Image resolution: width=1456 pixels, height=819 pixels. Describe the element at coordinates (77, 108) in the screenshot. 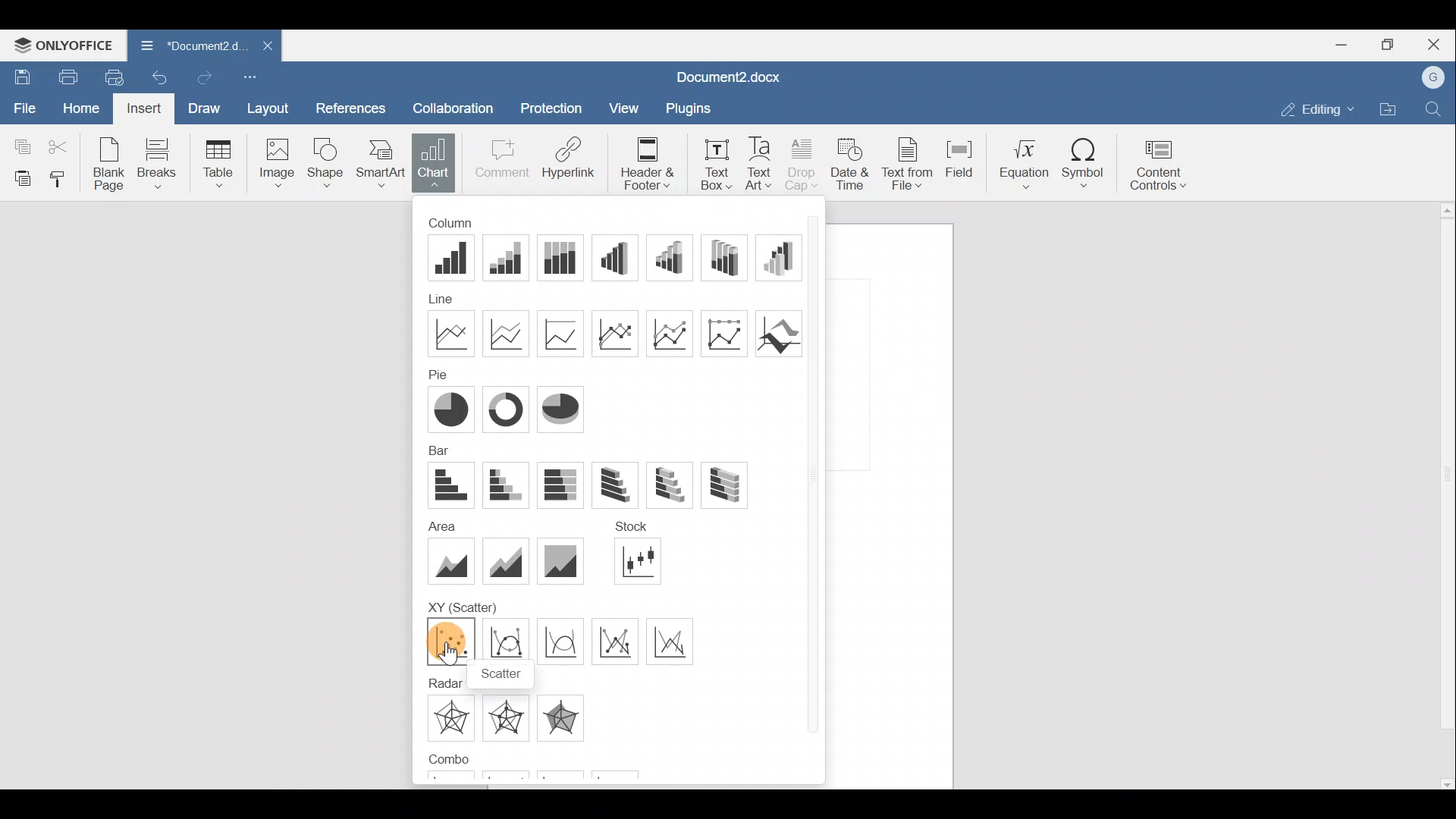

I see `Home` at that location.